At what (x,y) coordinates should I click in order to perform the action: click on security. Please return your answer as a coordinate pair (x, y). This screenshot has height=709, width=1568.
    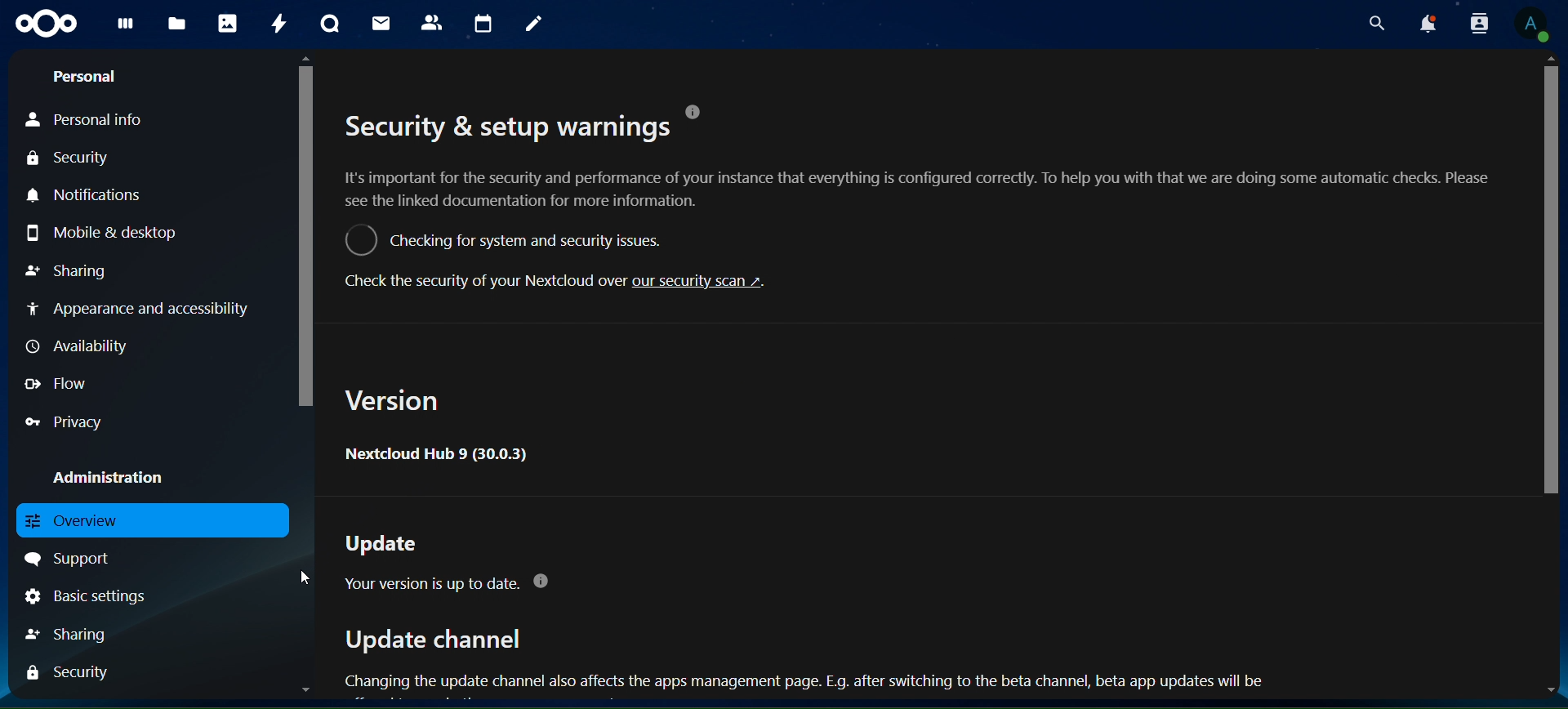
    Looking at the image, I should click on (69, 158).